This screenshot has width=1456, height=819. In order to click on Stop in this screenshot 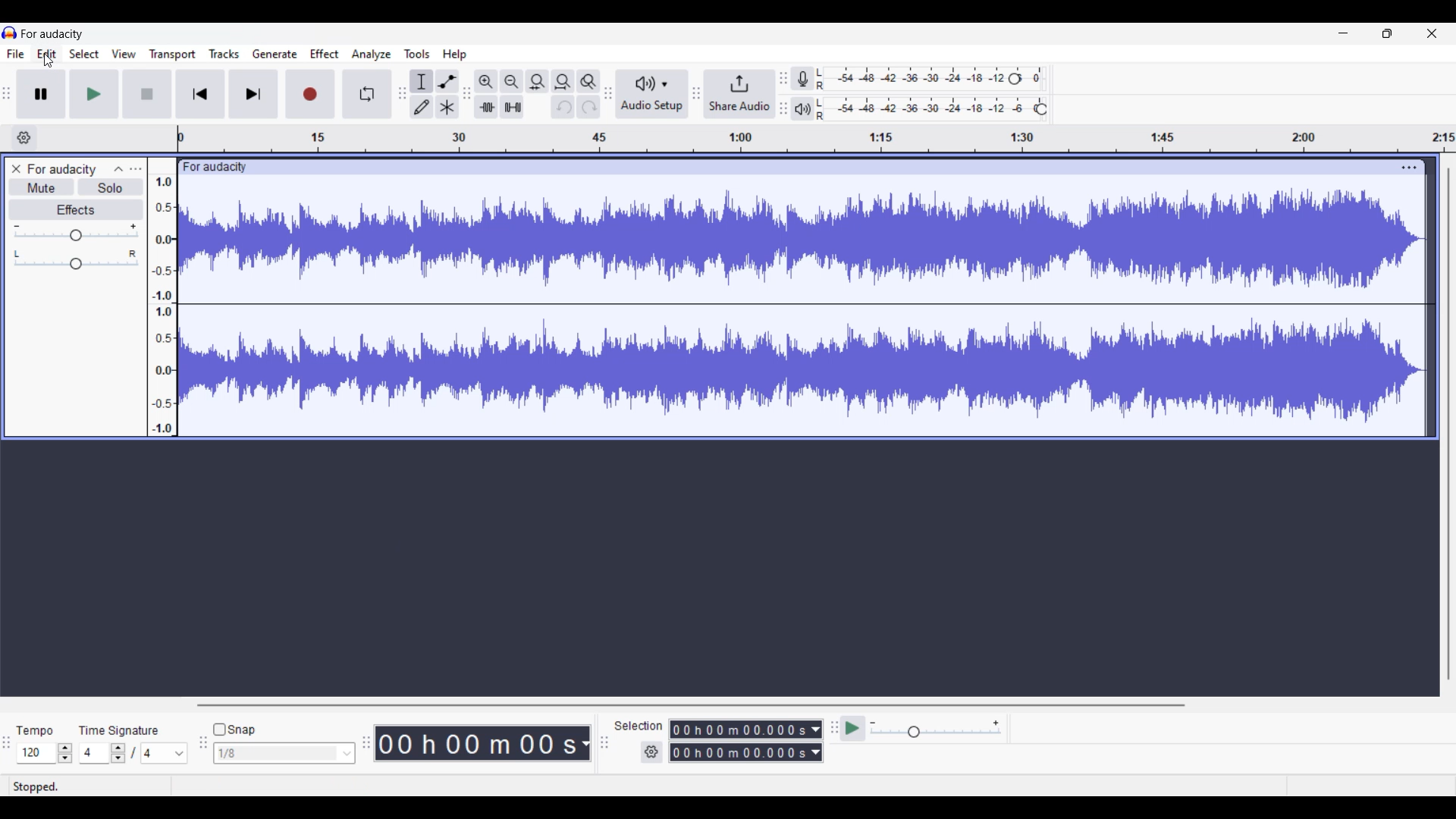, I will do `click(146, 94)`.